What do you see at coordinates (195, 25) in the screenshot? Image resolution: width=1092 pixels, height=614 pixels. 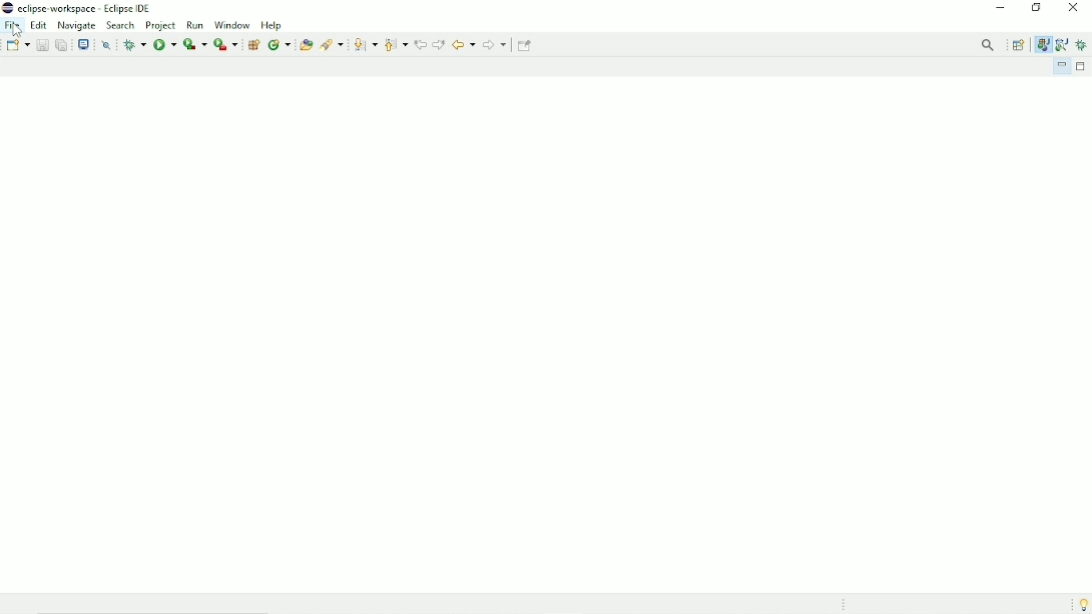 I see `Run` at bounding box center [195, 25].